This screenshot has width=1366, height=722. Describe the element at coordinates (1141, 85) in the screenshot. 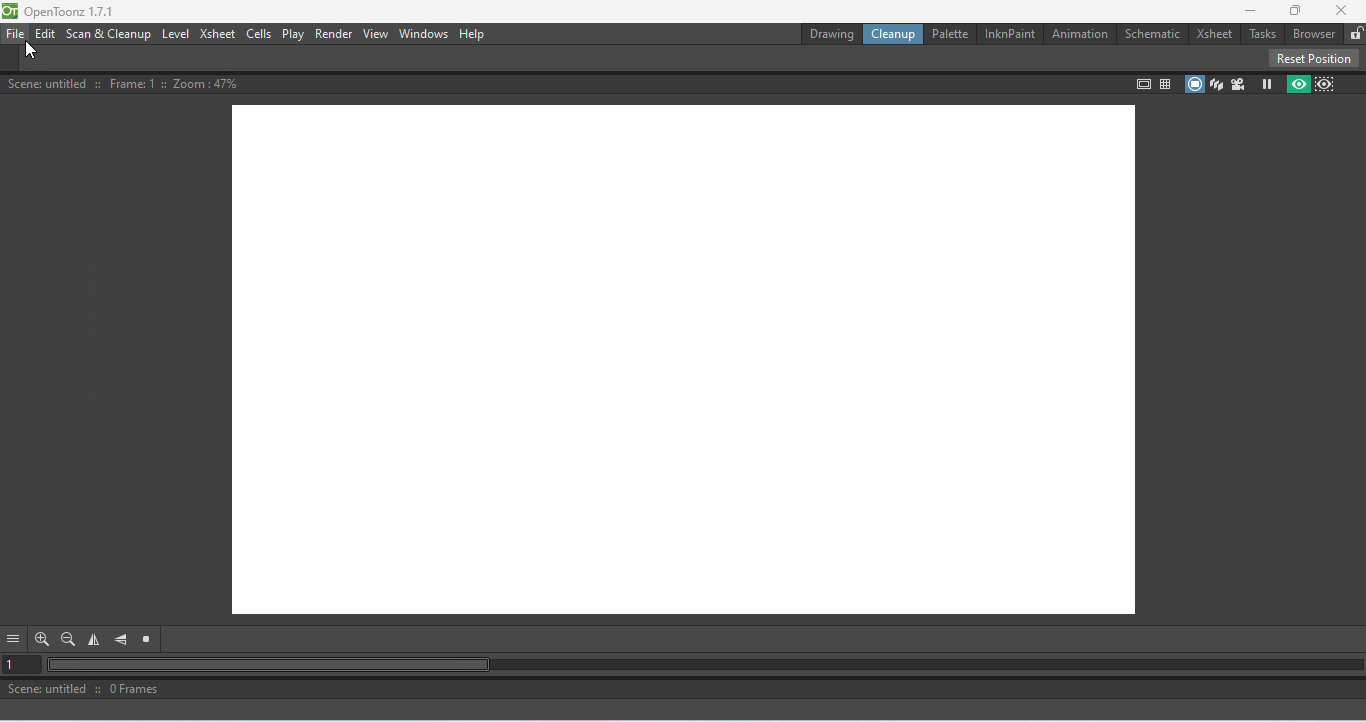

I see `Safe area` at that location.